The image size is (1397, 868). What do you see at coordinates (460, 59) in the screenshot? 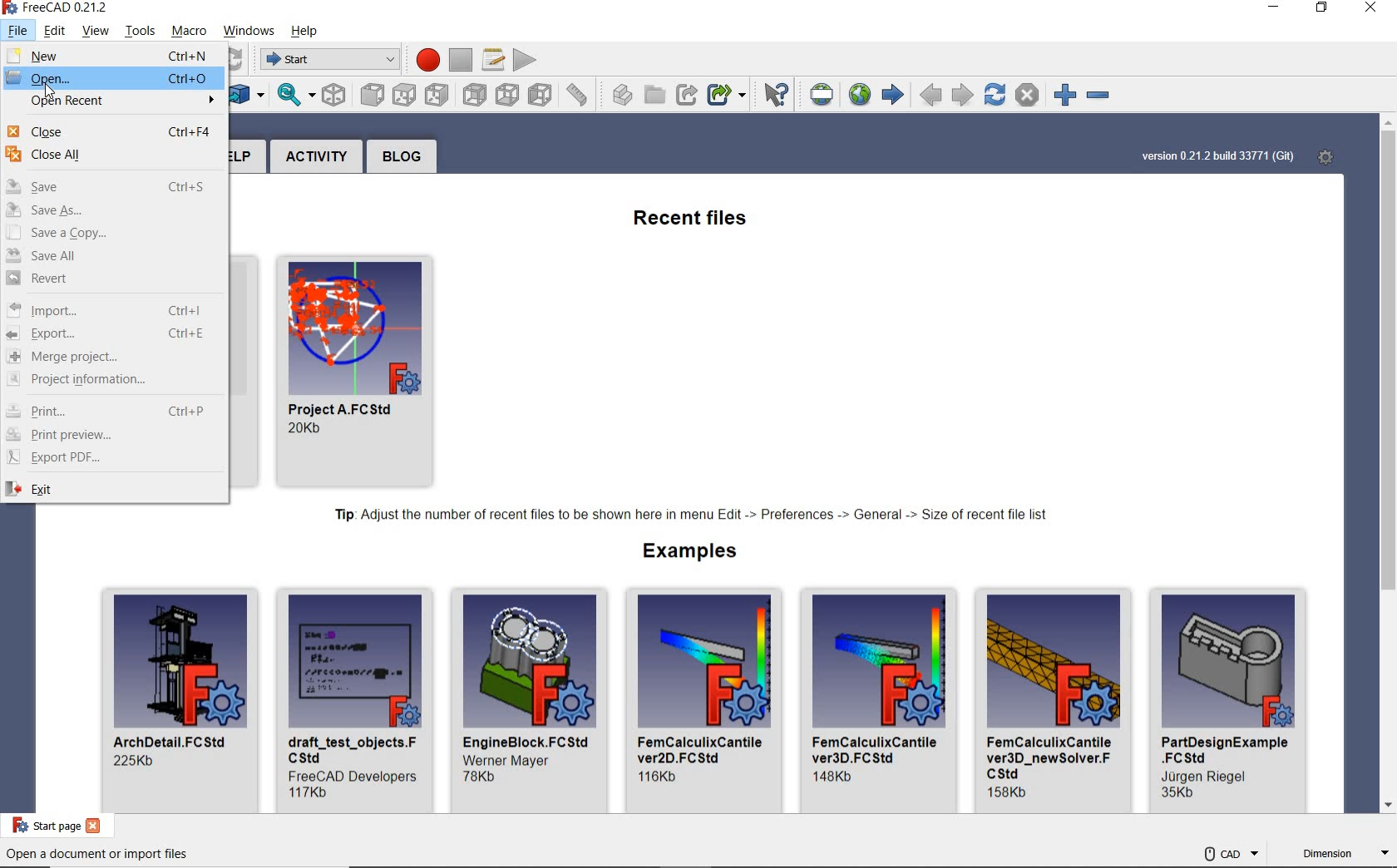
I see `STOP MACRO RECORDING` at bounding box center [460, 59].